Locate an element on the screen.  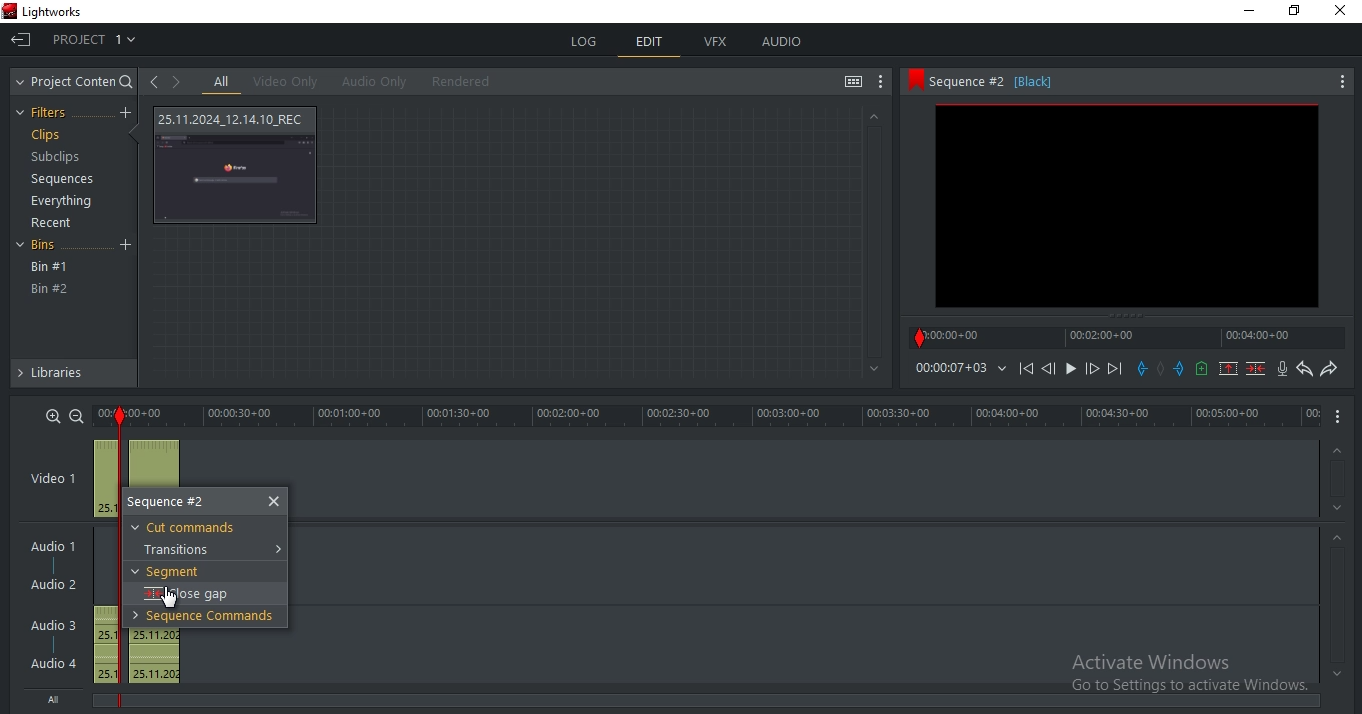
Down is located at coordinates (1338, 508).